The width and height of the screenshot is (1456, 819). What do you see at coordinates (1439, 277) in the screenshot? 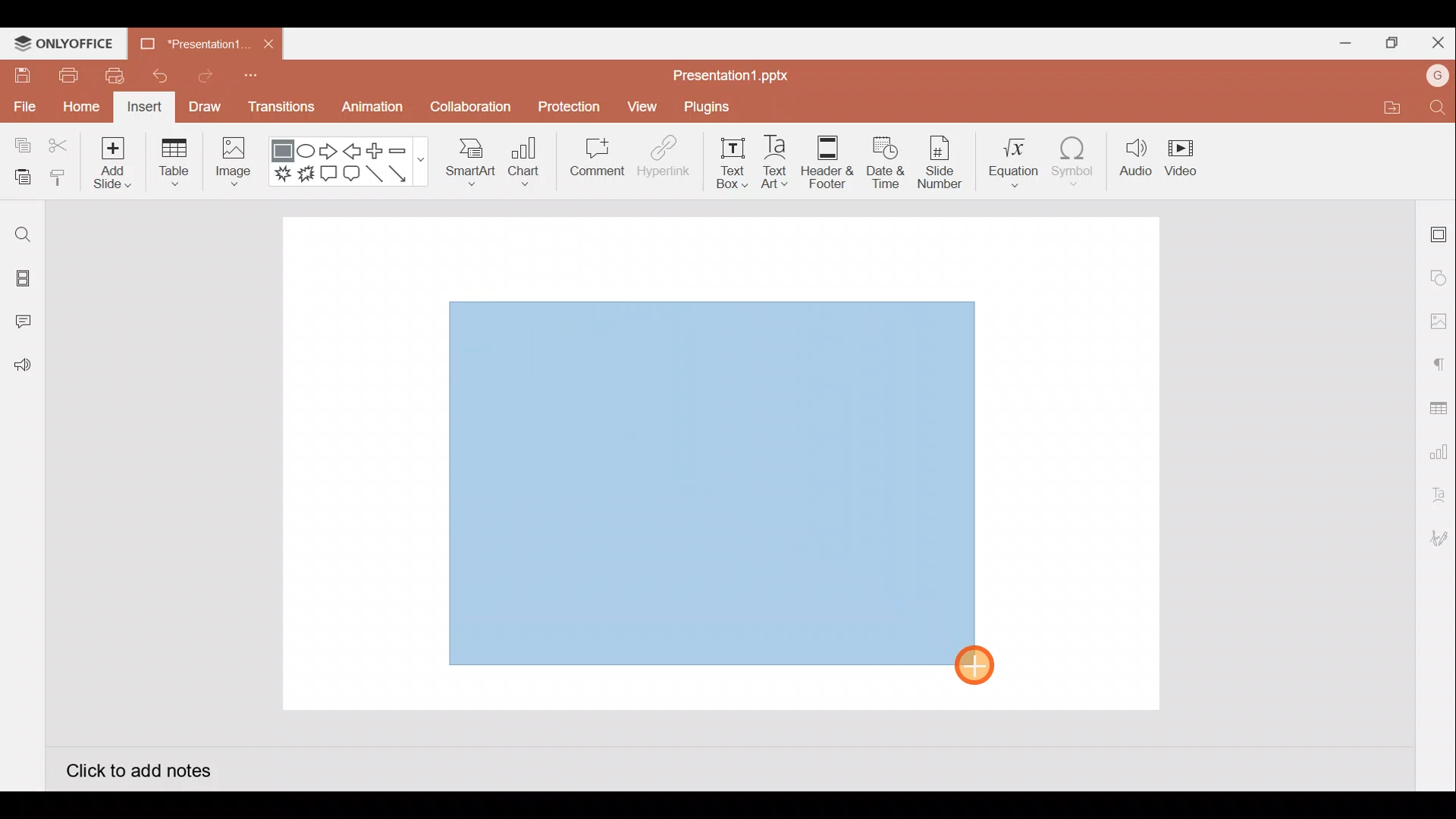
I see `Shape settings` at bounding box center [1439, 277].